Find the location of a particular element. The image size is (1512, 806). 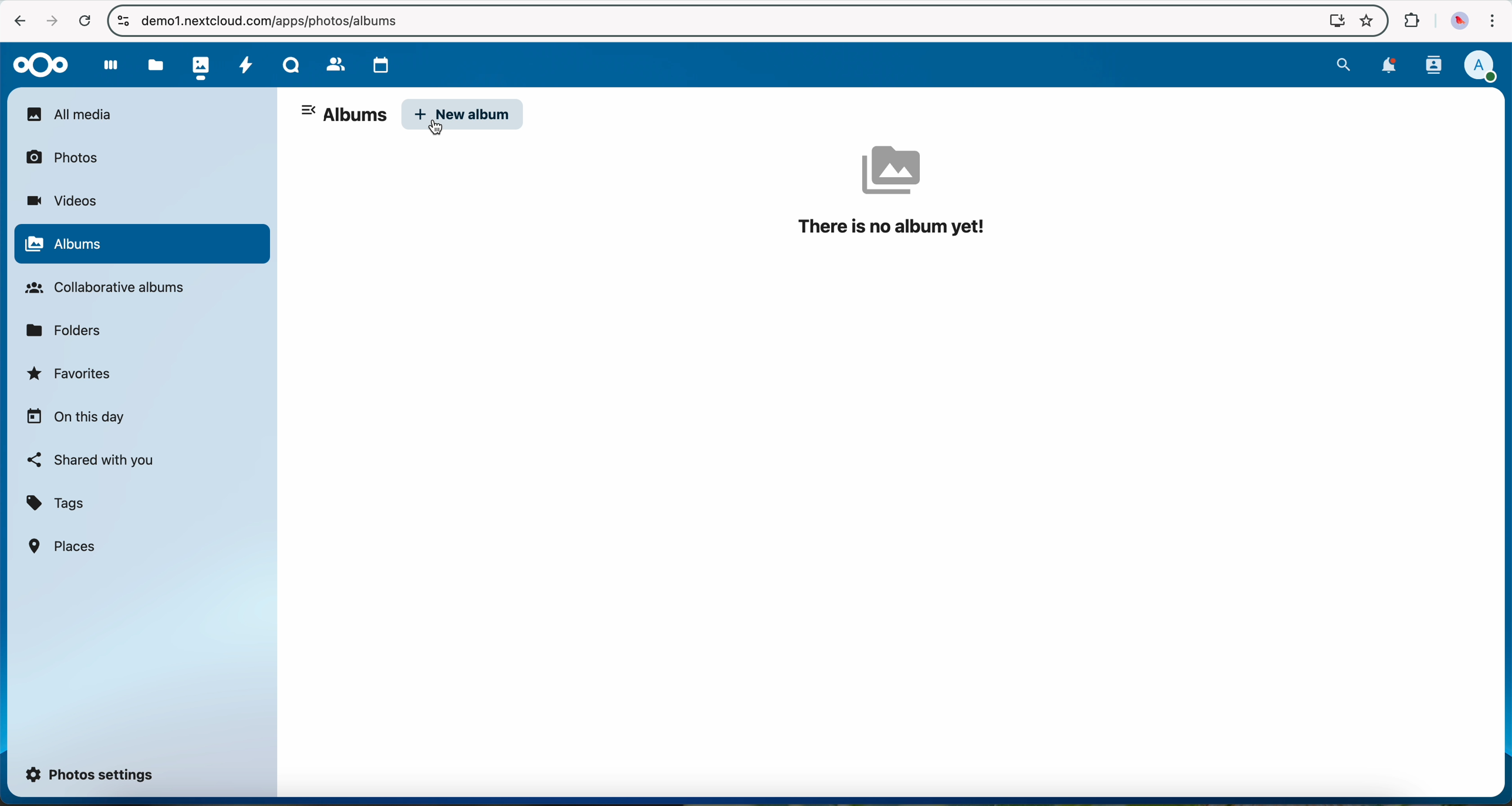

extensions is located at coordinates (1410, 21).